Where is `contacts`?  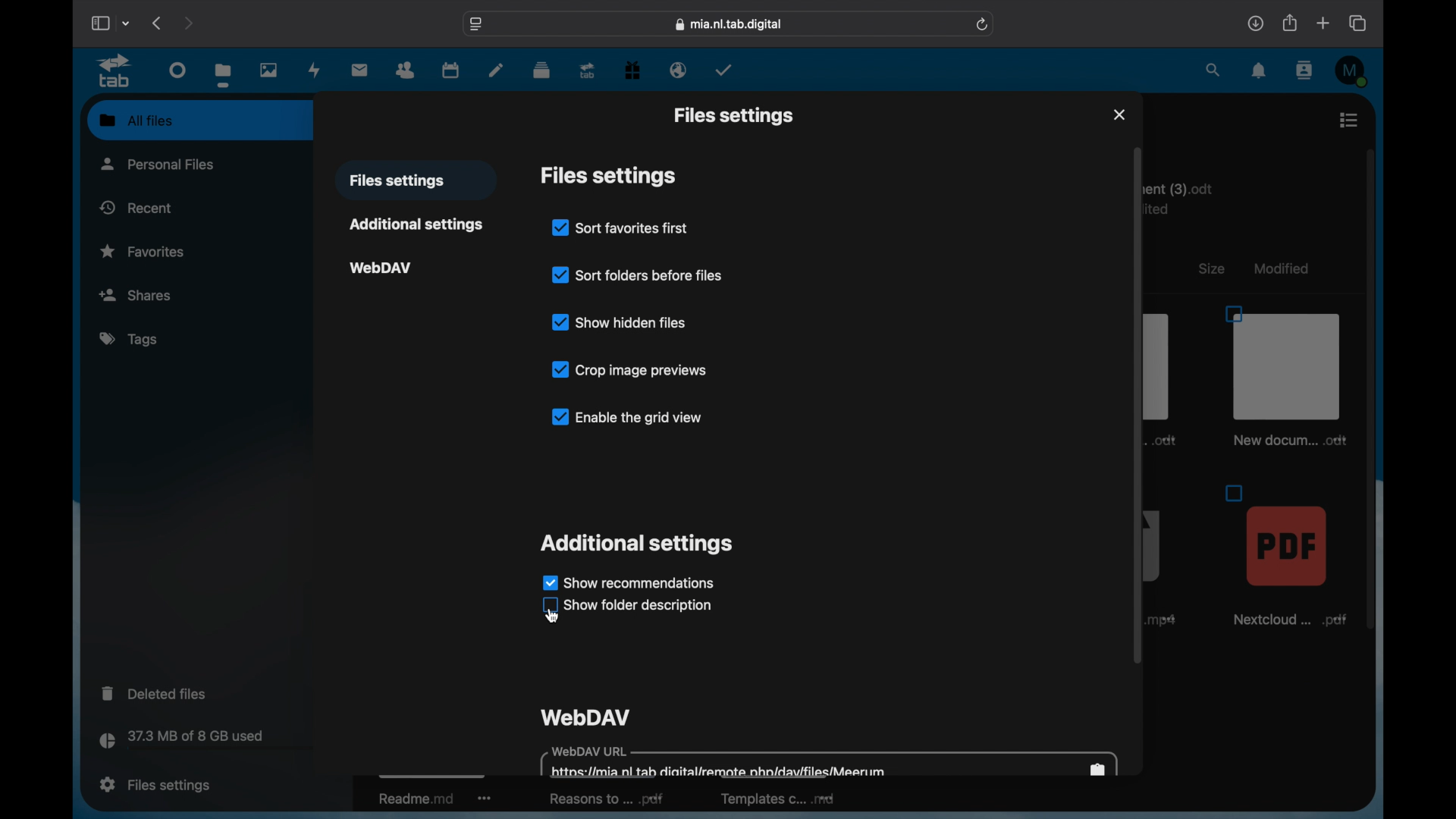 contacts is located at coordinates (1303, 71).